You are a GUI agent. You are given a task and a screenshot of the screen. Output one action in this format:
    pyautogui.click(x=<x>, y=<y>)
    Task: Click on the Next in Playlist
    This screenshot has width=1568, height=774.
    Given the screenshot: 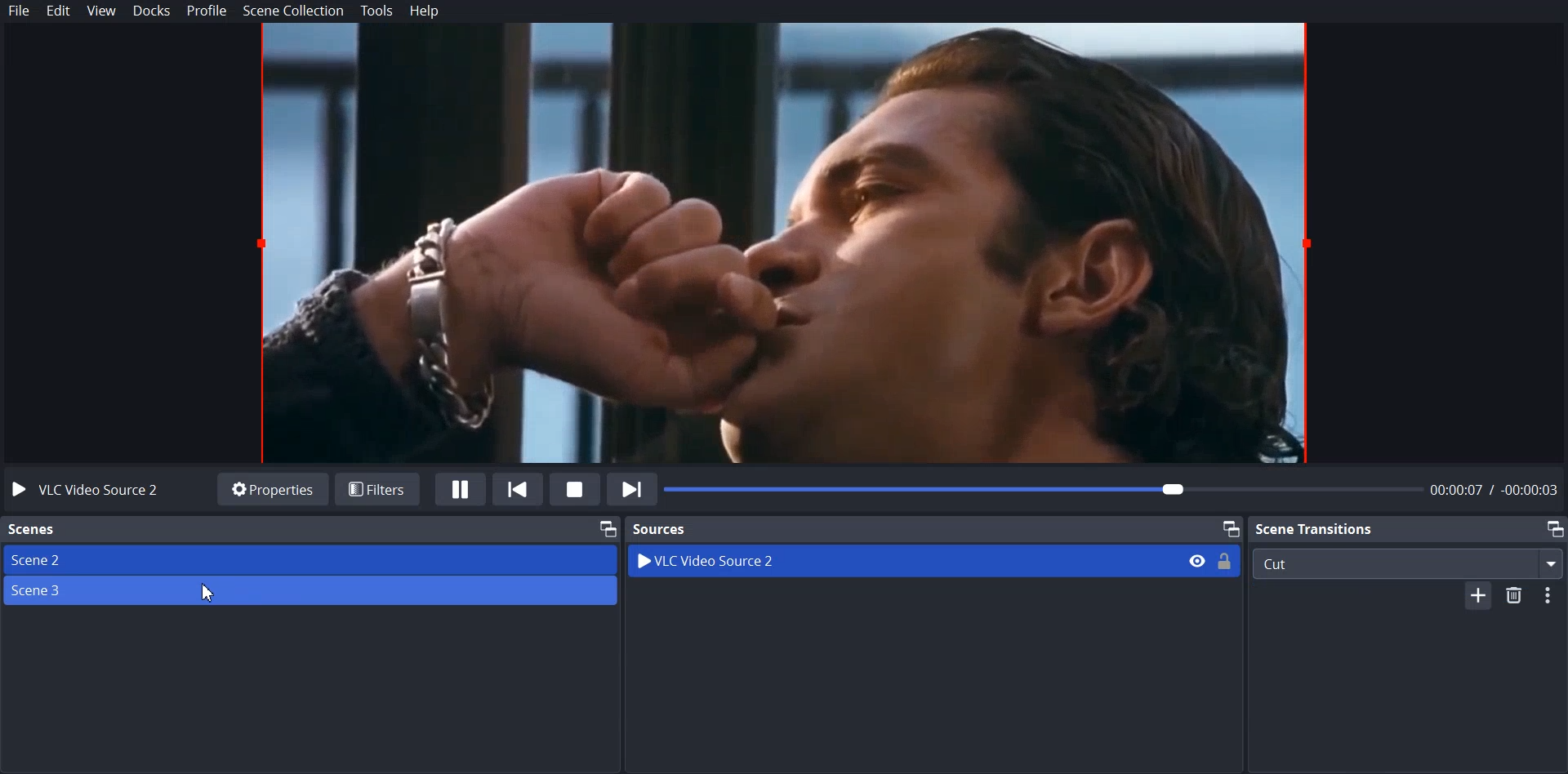 What is the action you would take?
    pyautogui.click(x=632, y=488)
    